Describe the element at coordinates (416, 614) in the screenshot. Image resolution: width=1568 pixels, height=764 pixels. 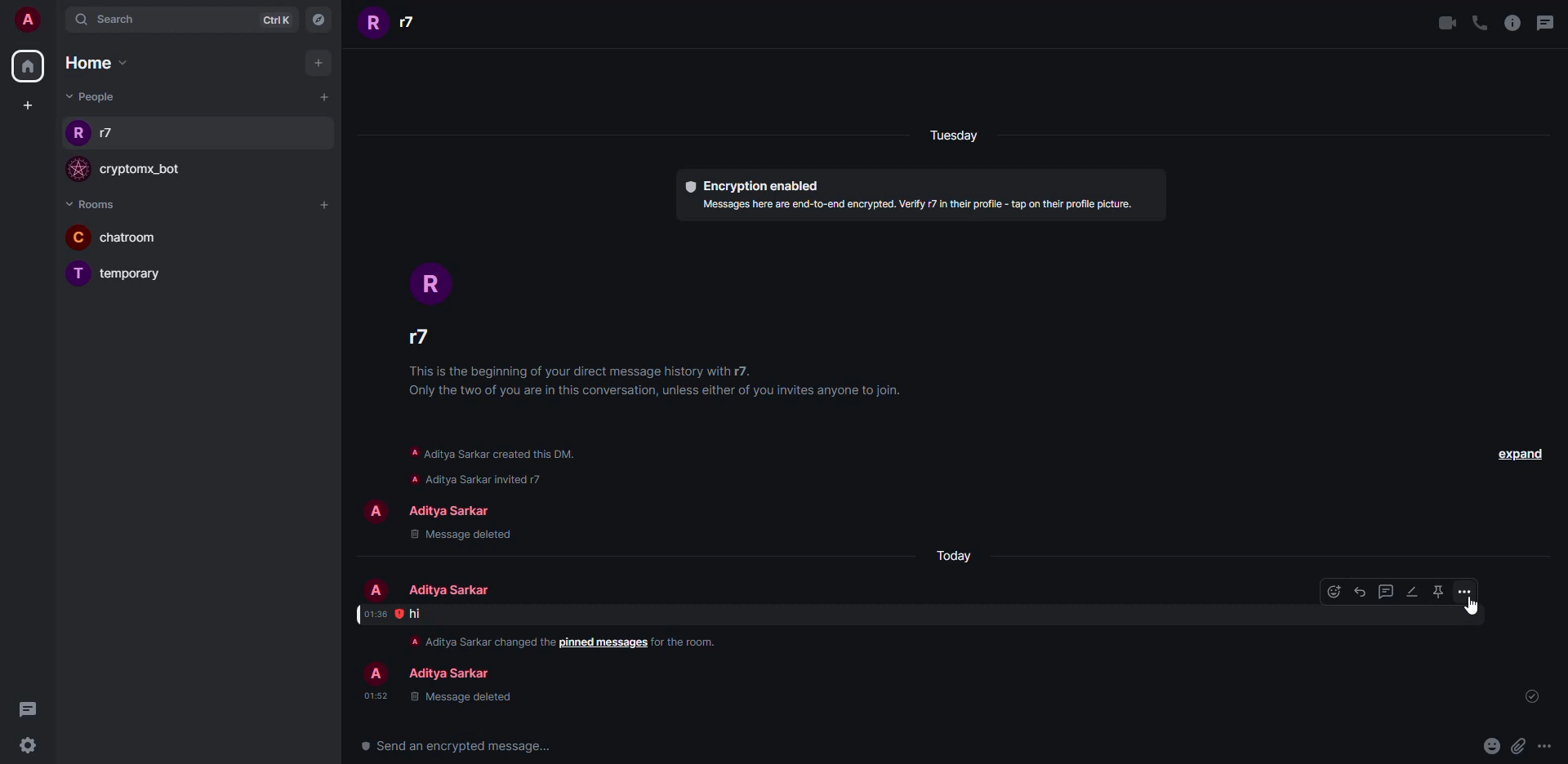
I see `message` at that location.